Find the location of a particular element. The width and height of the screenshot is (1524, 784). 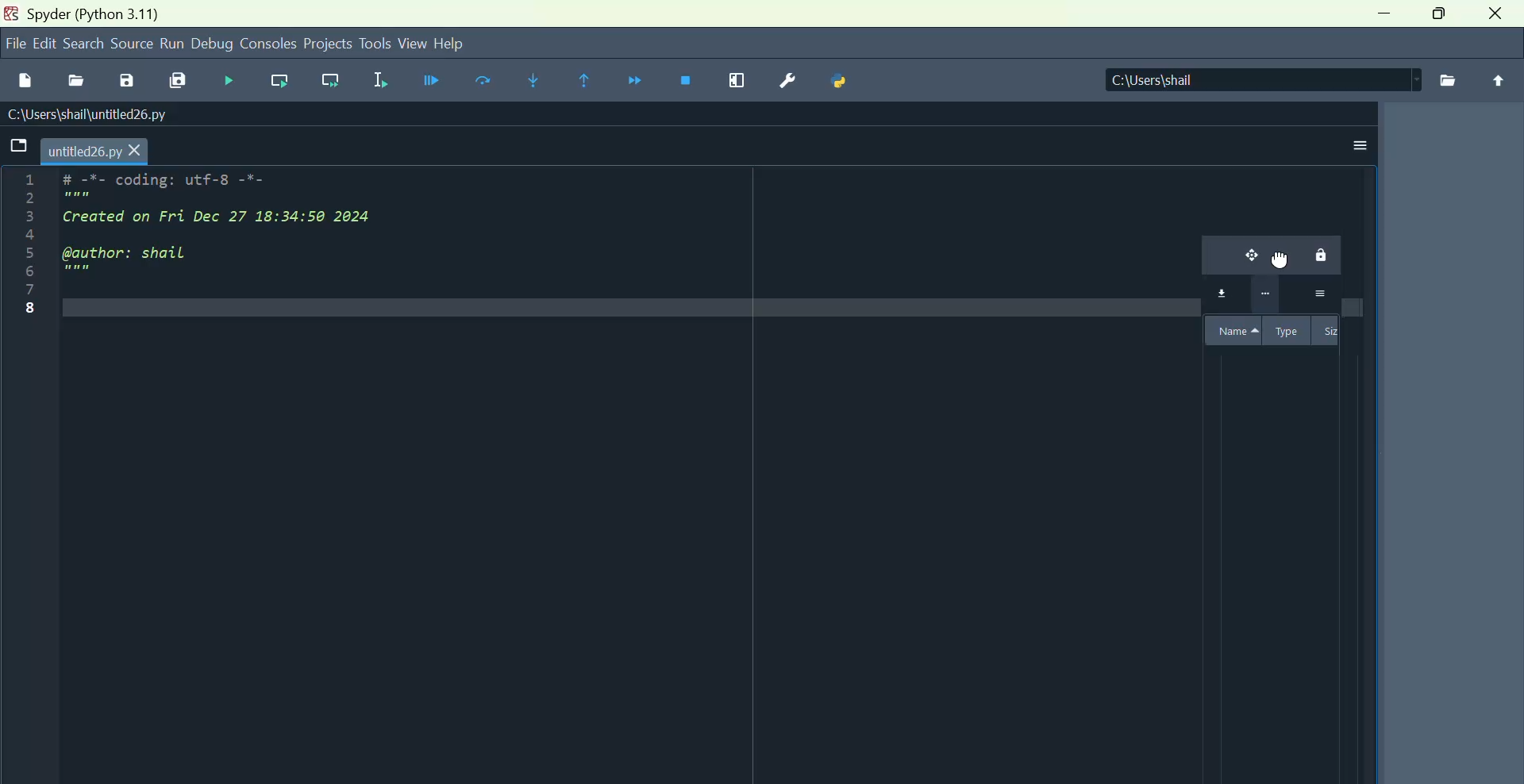

maximise current window is located at coordinates (736, 83).